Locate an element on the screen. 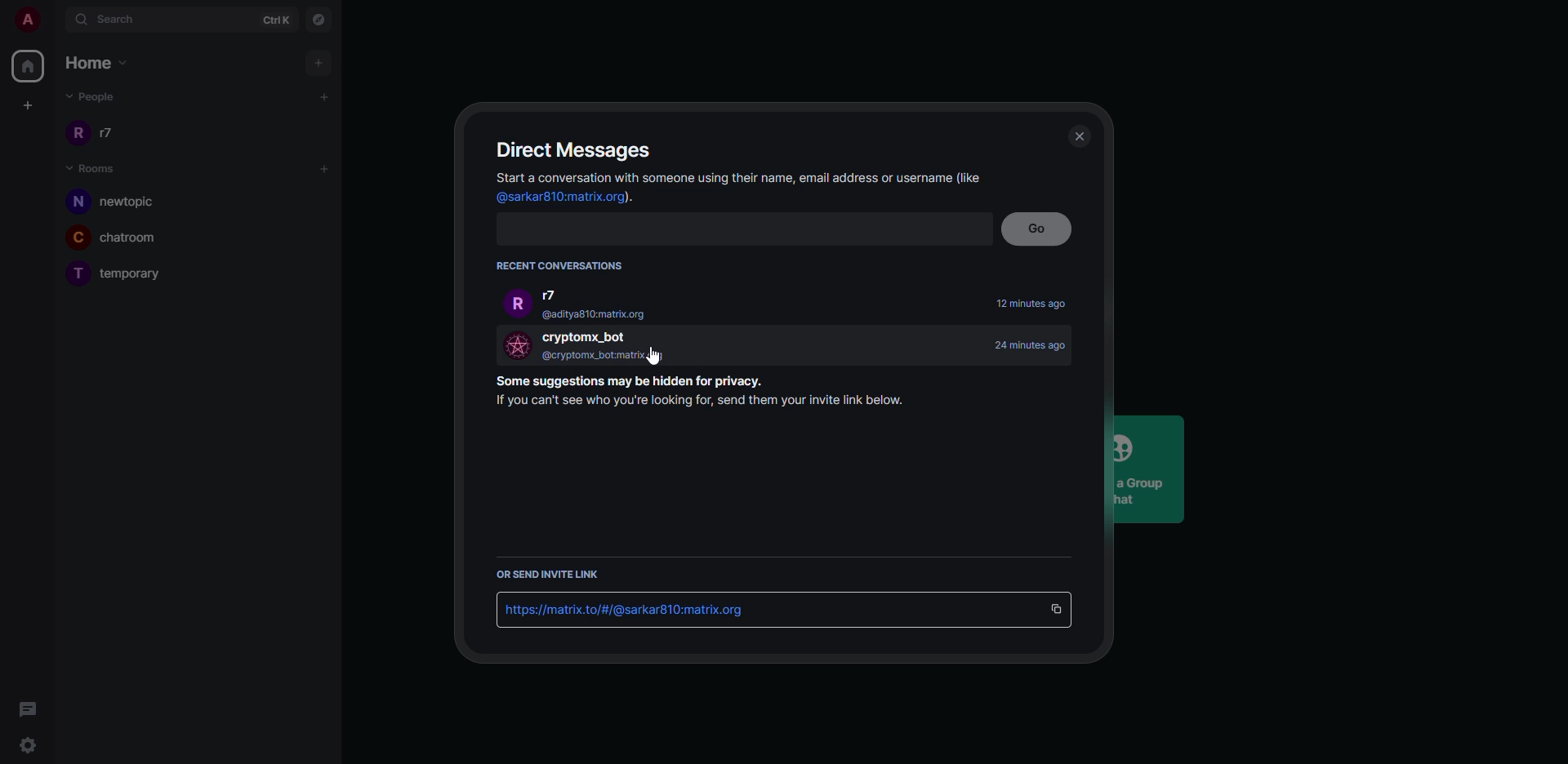 The image size is (1568, 764). r7 is located at coordinates (114, 132).